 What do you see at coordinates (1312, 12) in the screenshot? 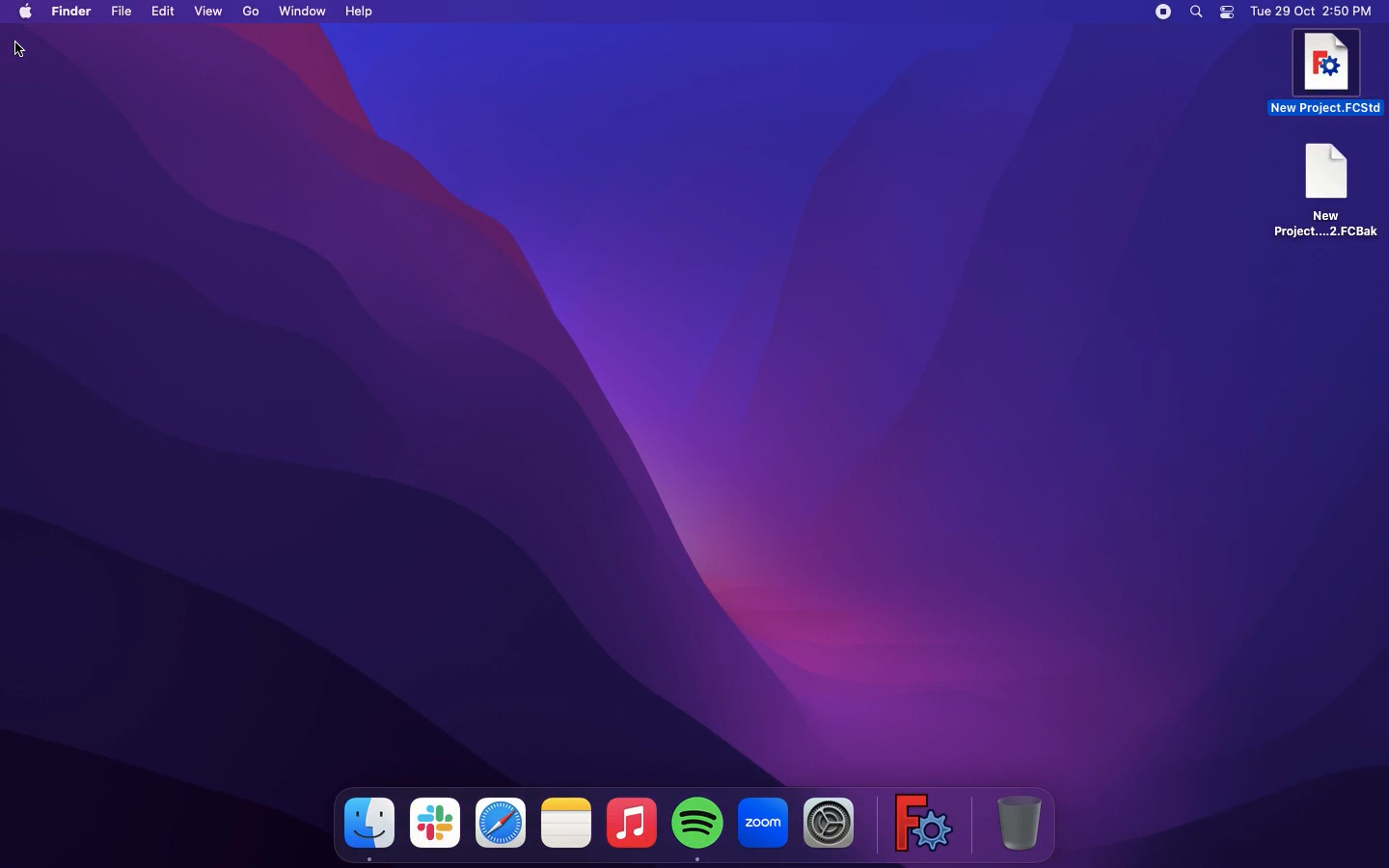
I see `Tue 29 Oct 2:50 PM` at bounding box center [1312, 12].